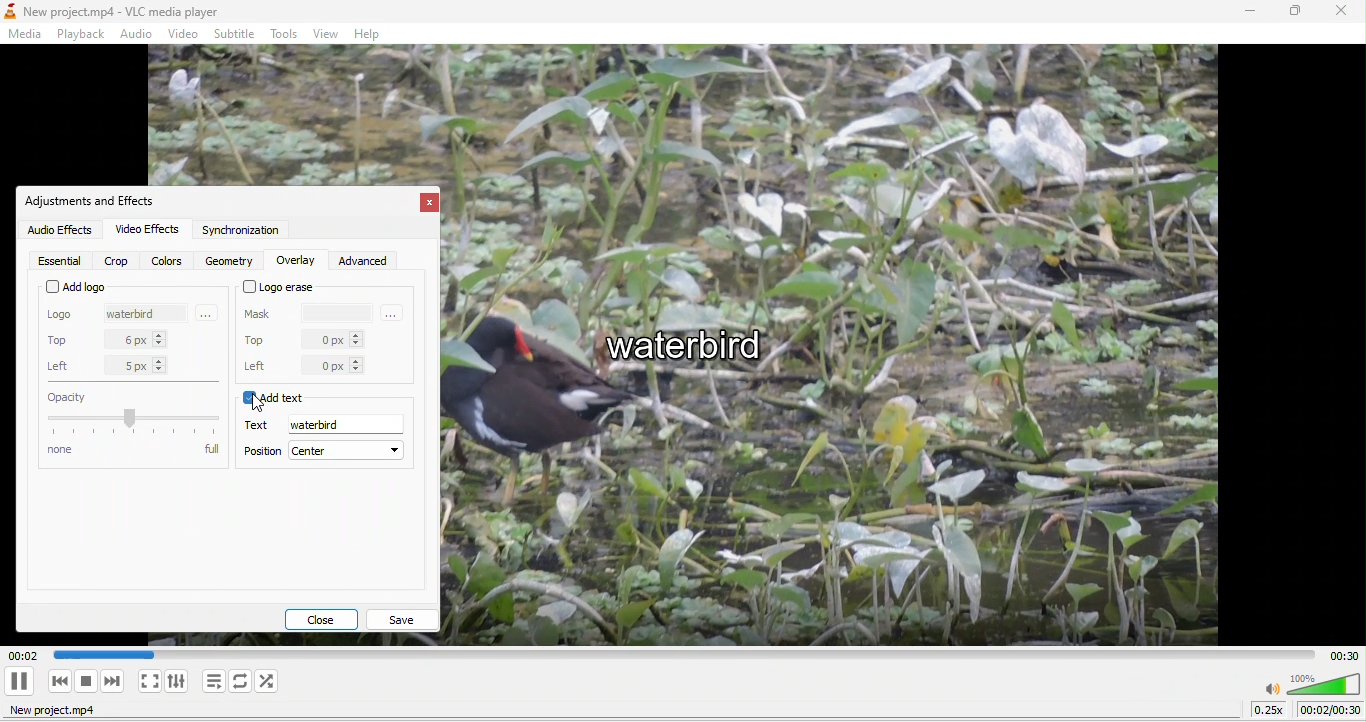 The width and height of the screenshot is (1366, 722). I want to click on  6 px, so click(146, 338).